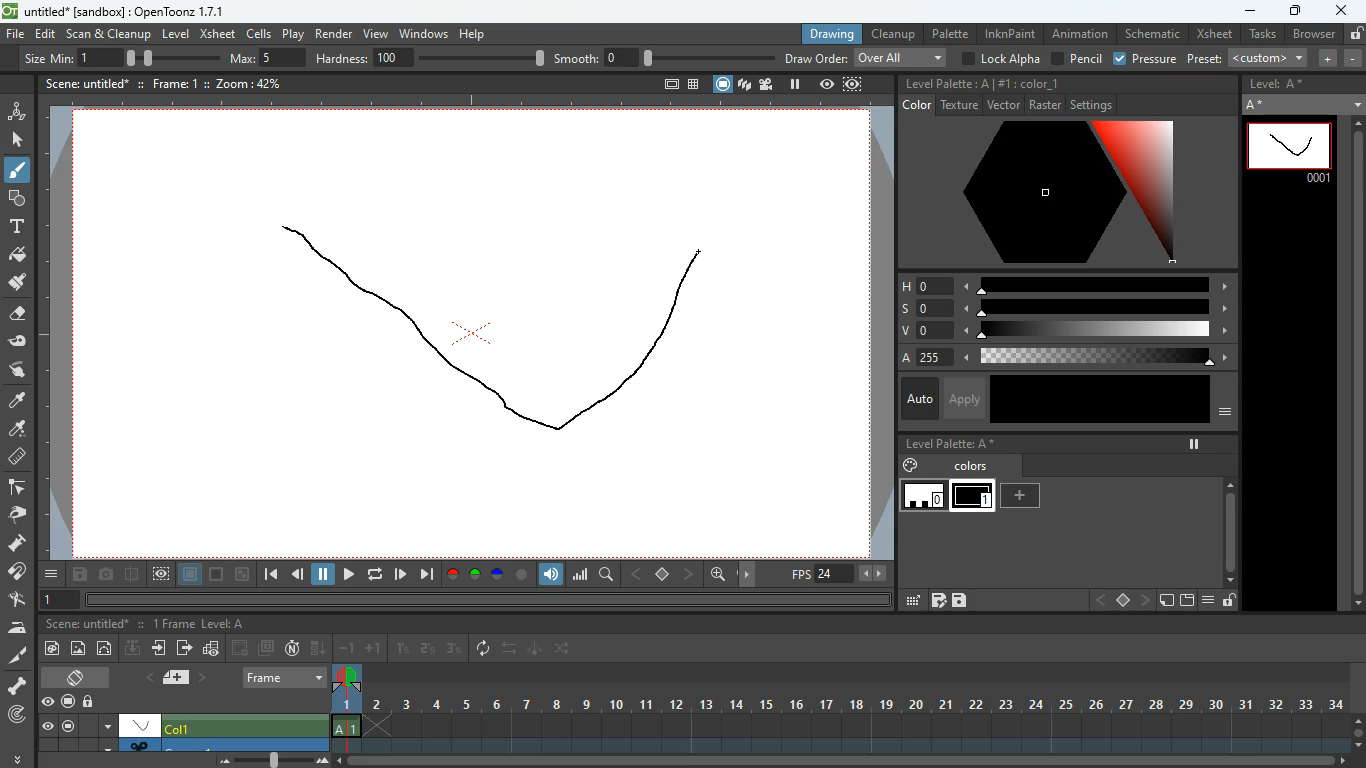 This screenshot has height=768, width=1366. I want to click on down, so click(319, 647).